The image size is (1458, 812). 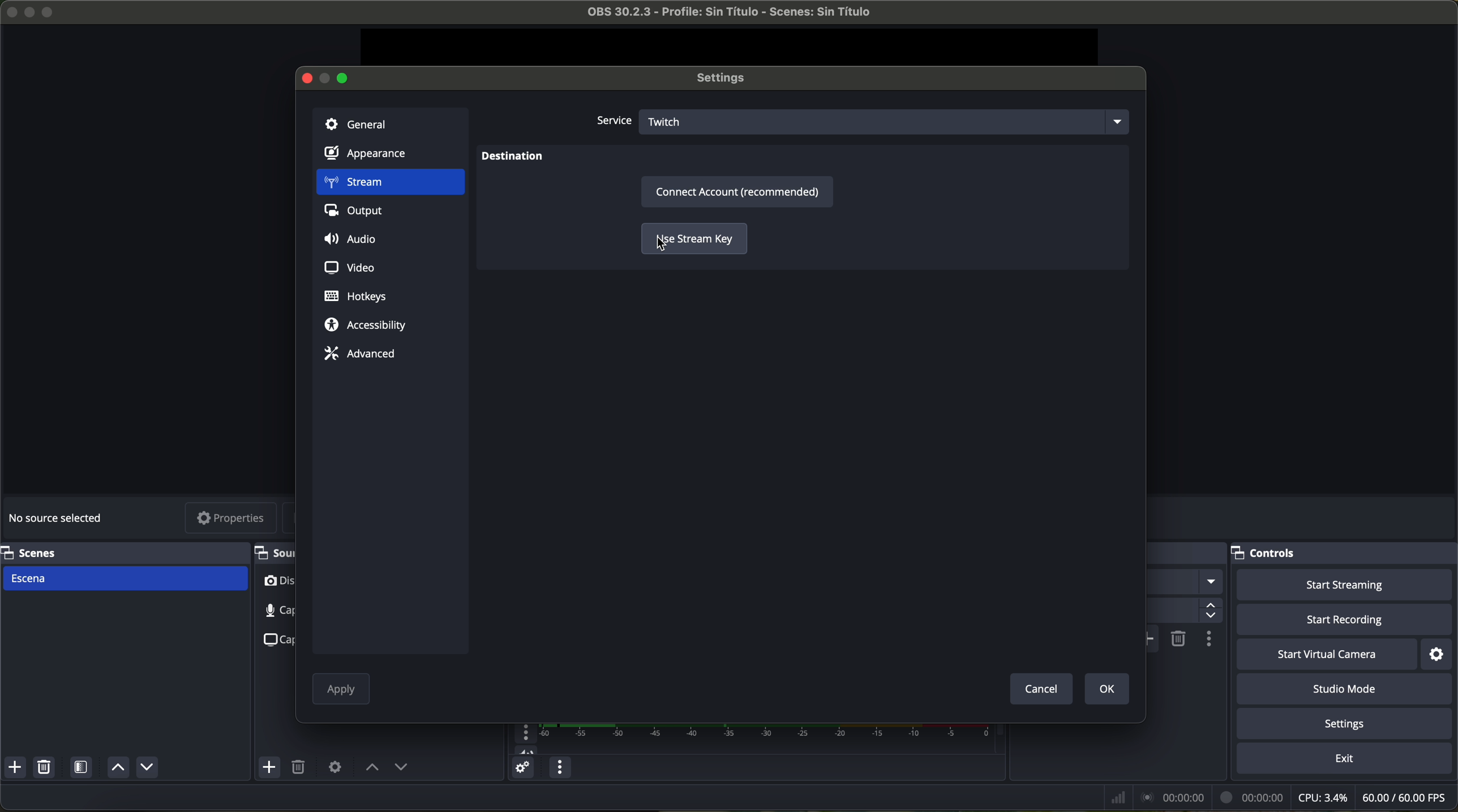 I want to click on OK, so click(x=1104, y=688).